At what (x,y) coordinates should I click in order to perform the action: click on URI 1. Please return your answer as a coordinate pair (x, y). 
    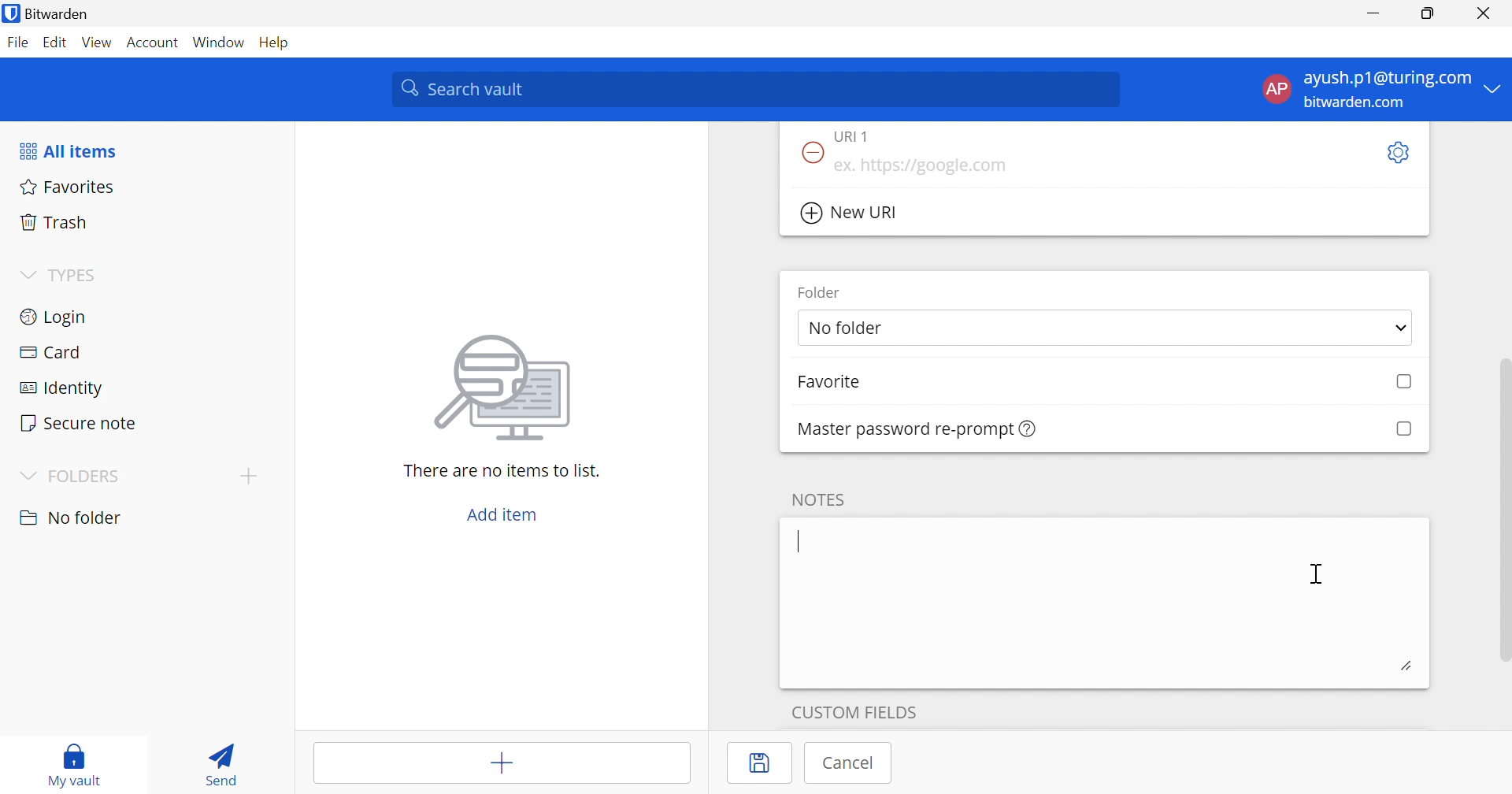
    Looking at the image, I should click on (862, 135).